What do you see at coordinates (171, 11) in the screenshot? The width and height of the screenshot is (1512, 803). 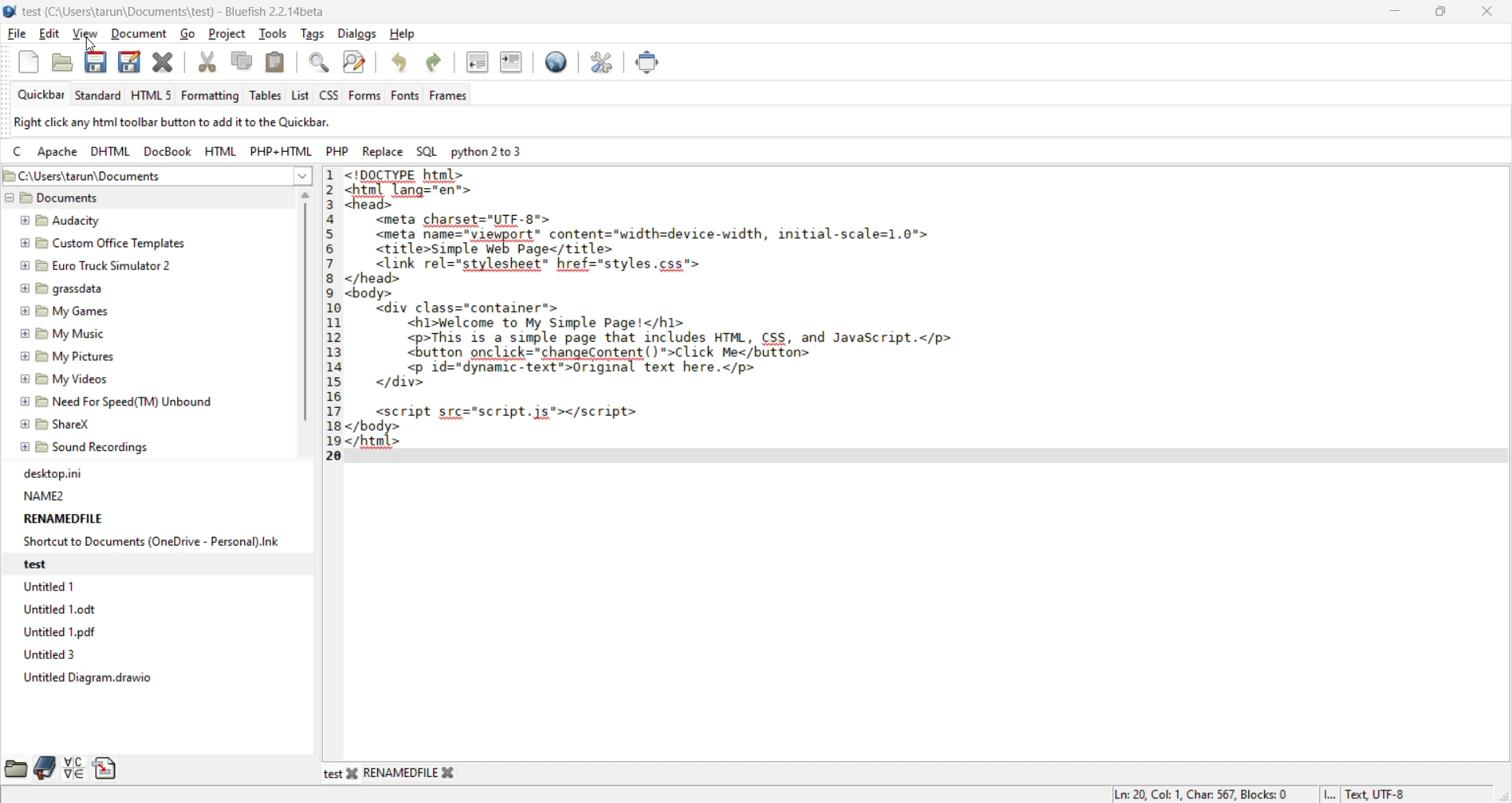 I see `file name and app name` at bounding box center [171, 11].